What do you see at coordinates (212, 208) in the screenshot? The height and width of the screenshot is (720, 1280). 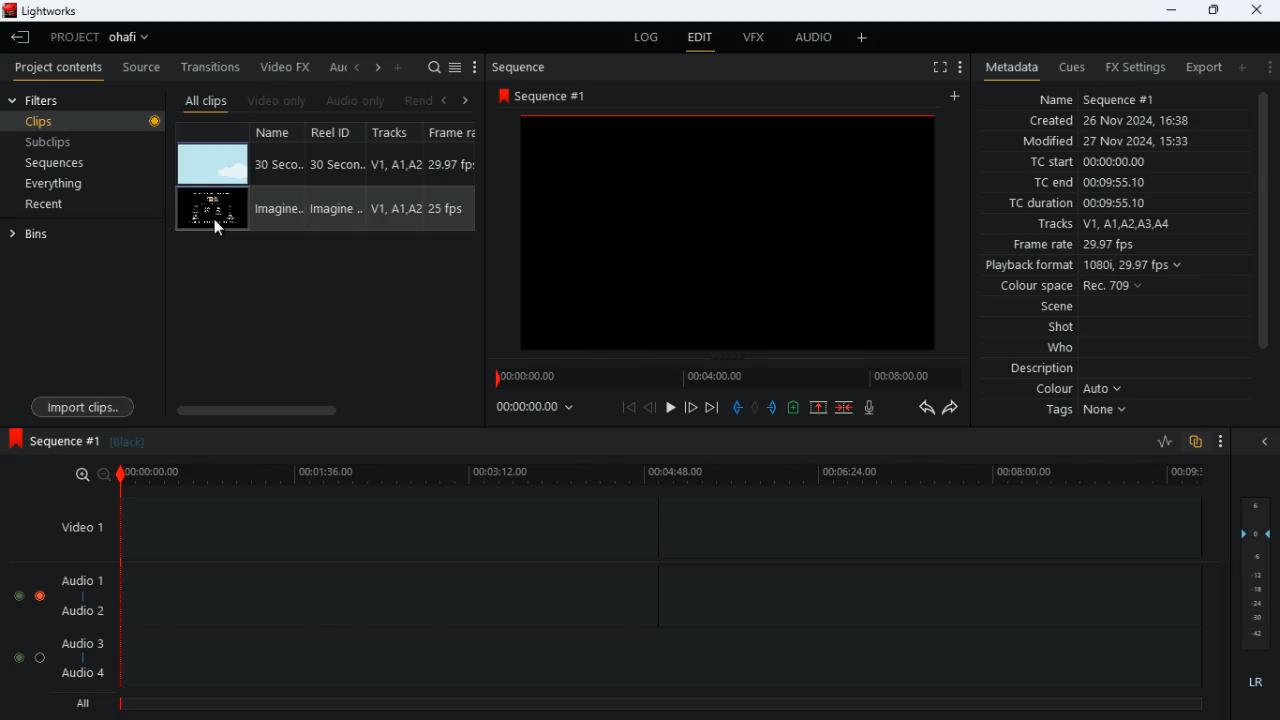 I see `video` at bounding box center [212, 208].